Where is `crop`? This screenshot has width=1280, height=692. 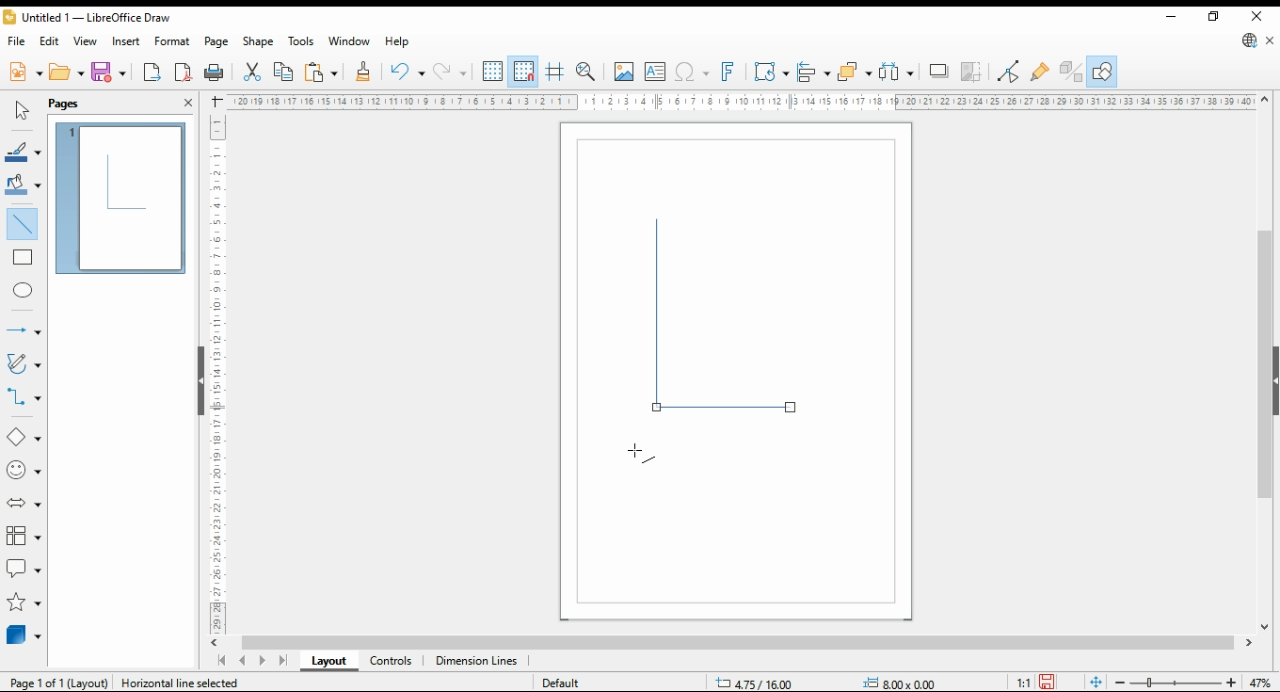 crop is located at coordinates (974, 72).